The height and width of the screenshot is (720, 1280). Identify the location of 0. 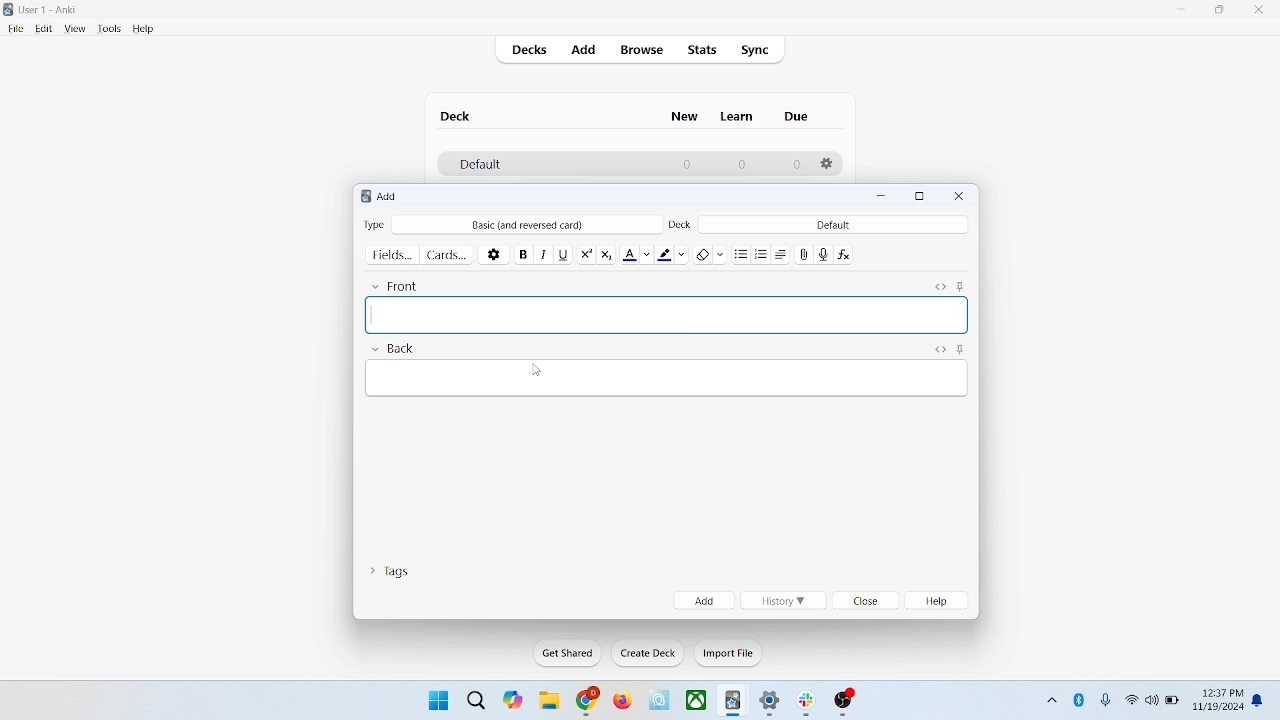
(688, 164).